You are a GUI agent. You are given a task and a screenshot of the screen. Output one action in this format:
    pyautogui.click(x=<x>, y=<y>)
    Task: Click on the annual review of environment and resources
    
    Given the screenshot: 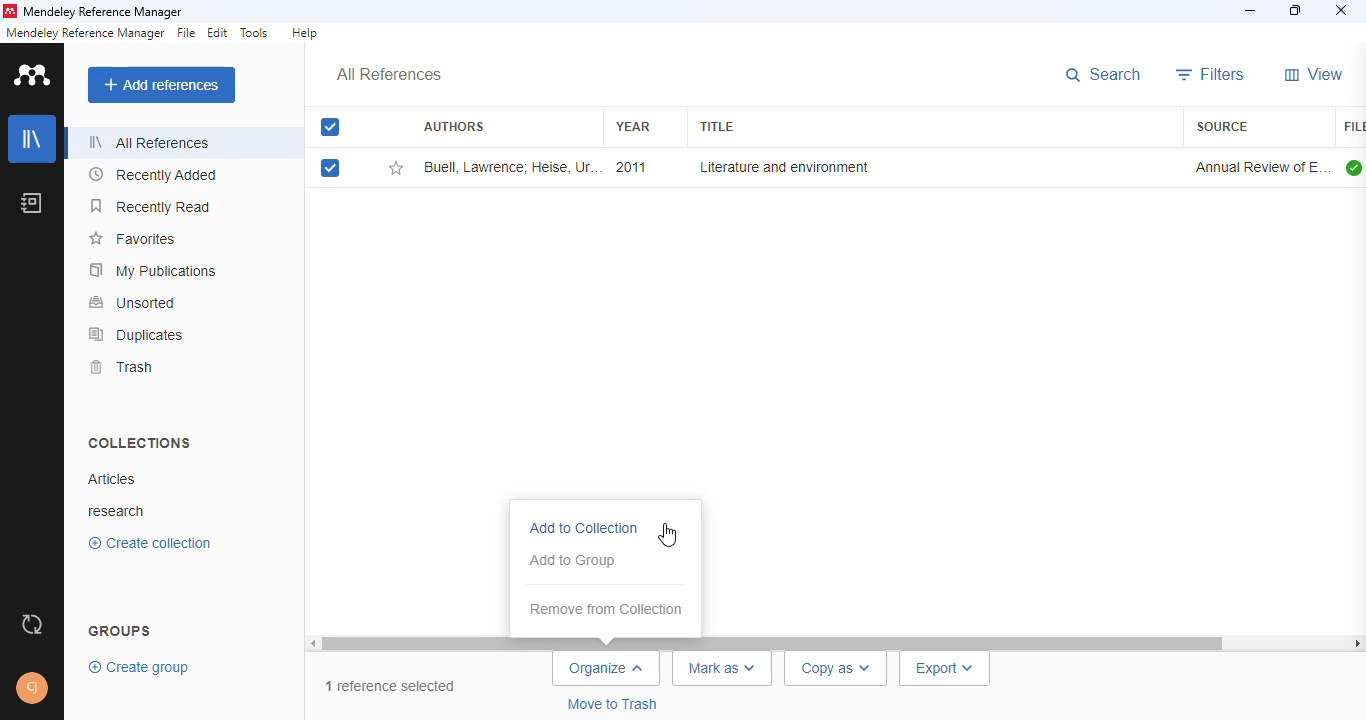 What is the action you would take?
    pyautogui.click(x=1261, y=167)
    